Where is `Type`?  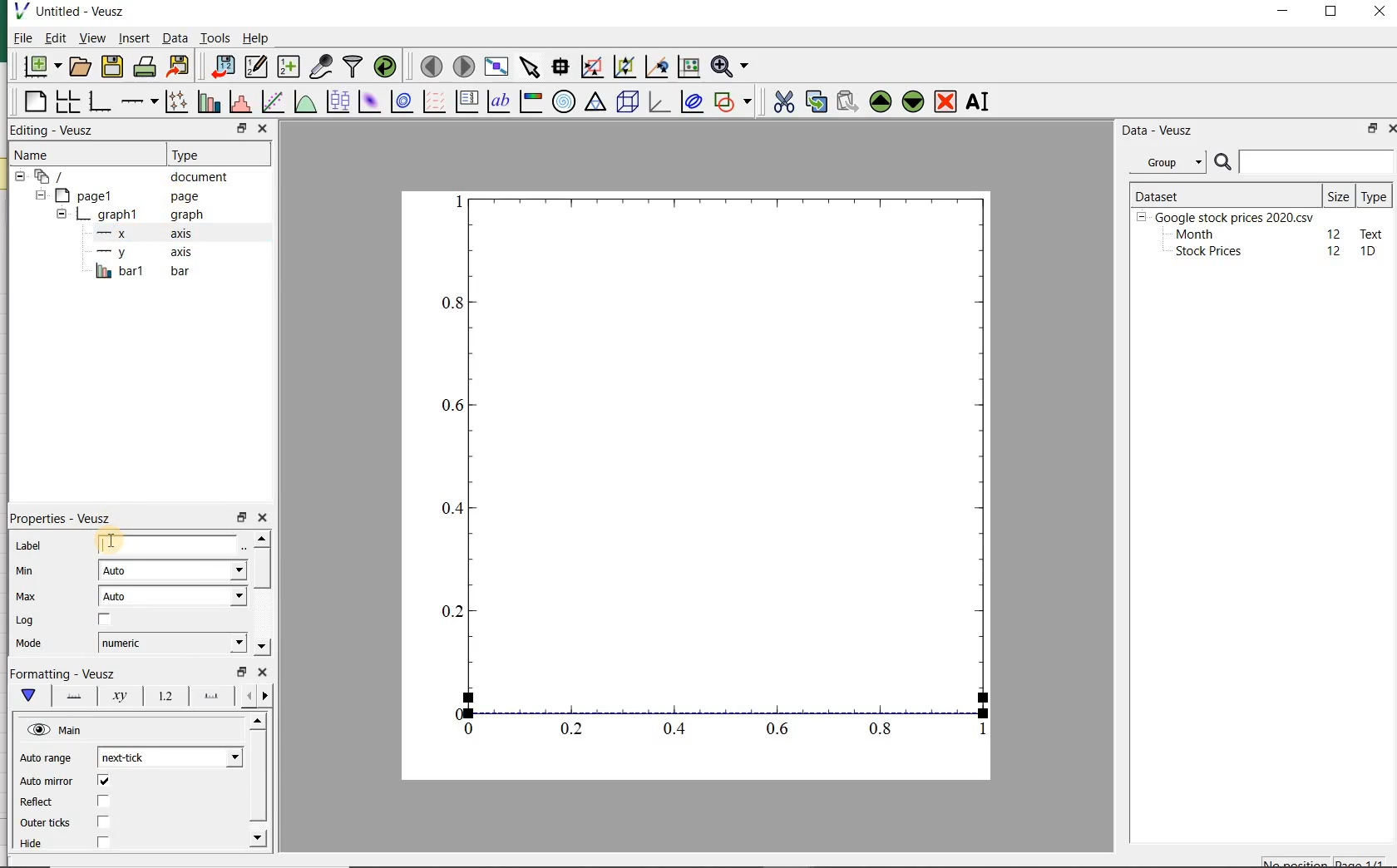
Type is located at coordinates (207, 153).